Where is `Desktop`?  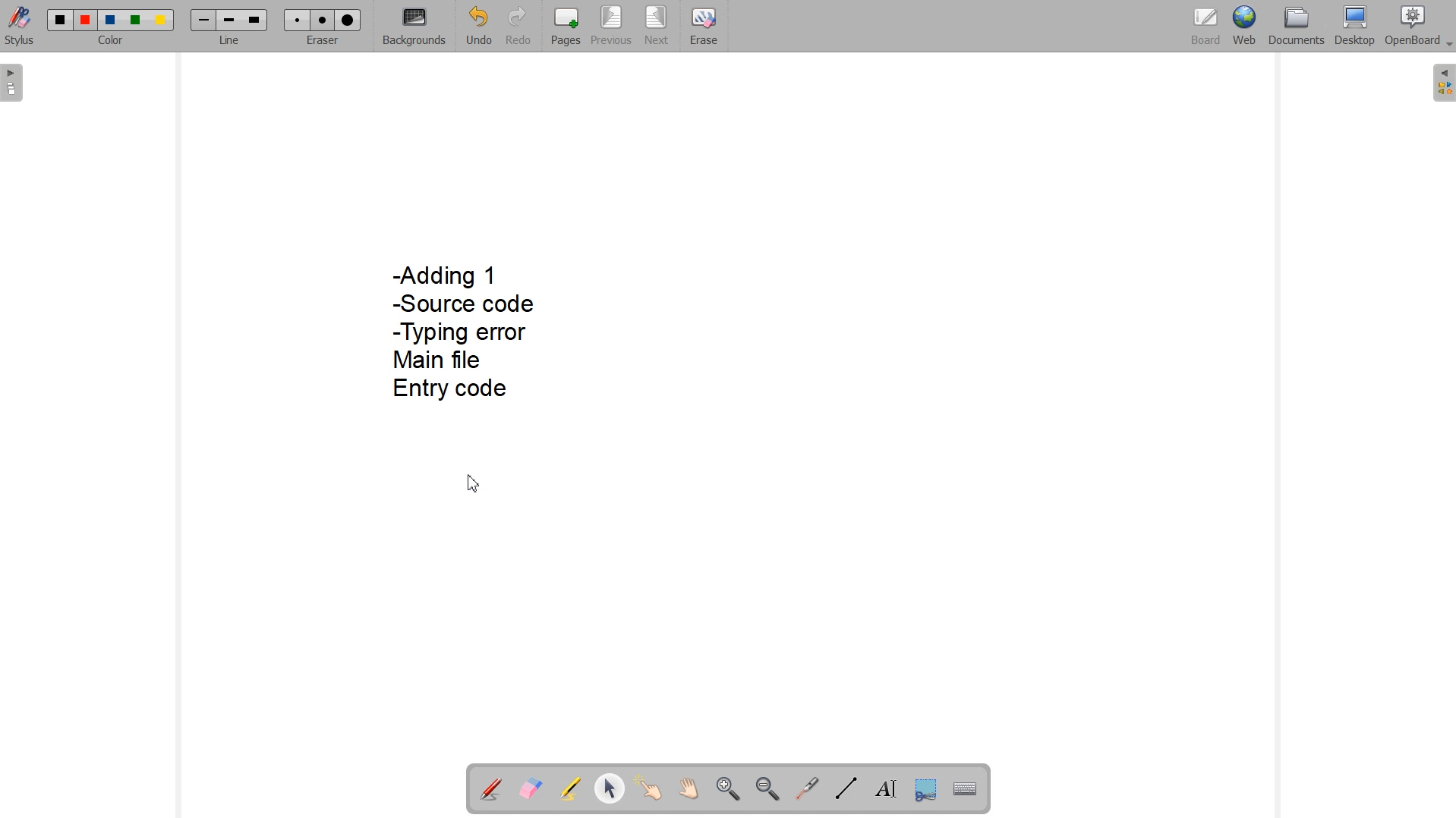 Desktop is located at coordinates (1355, 27).